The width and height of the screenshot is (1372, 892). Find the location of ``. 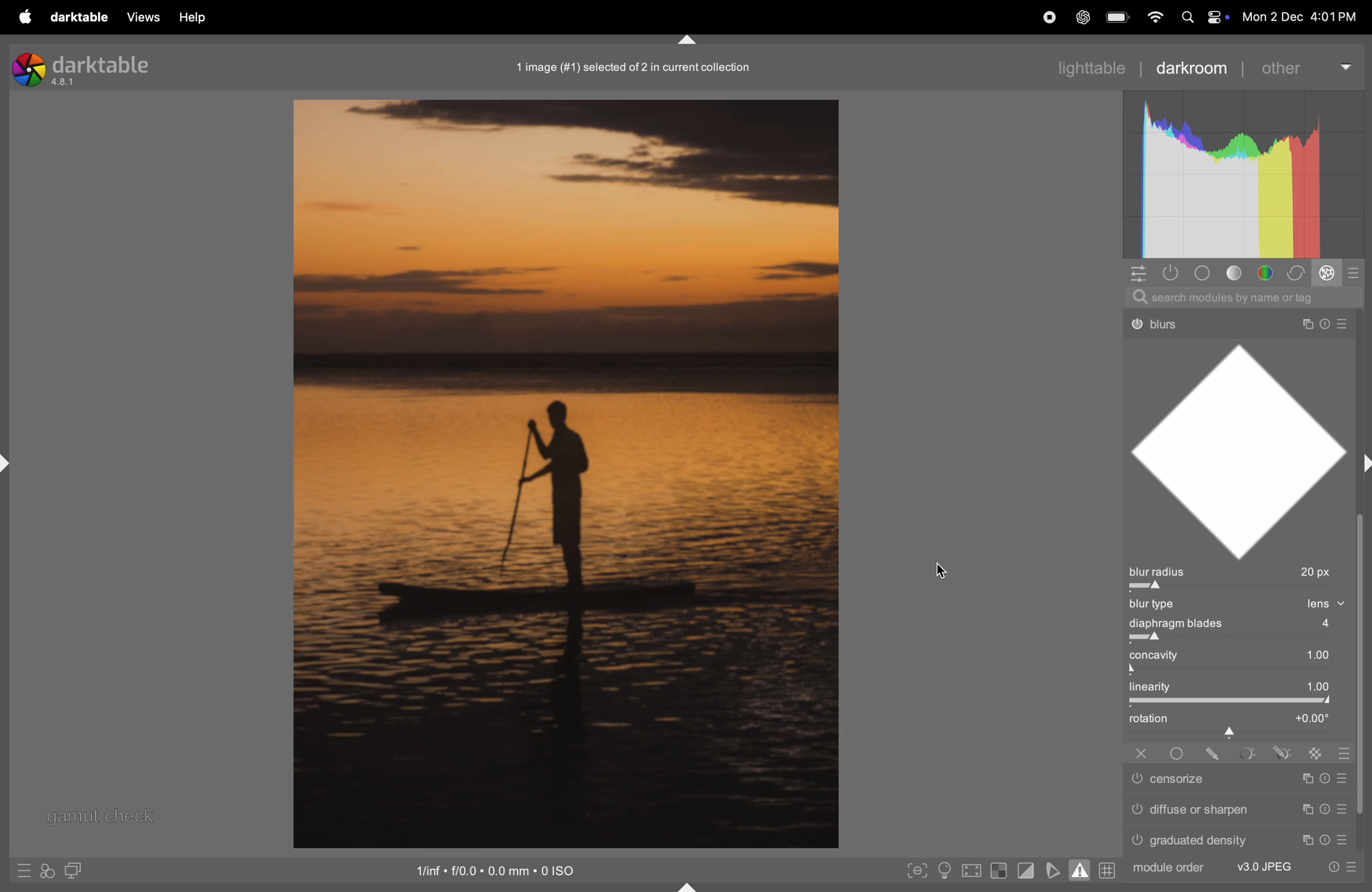

 is located at coordinates (1237, 810).